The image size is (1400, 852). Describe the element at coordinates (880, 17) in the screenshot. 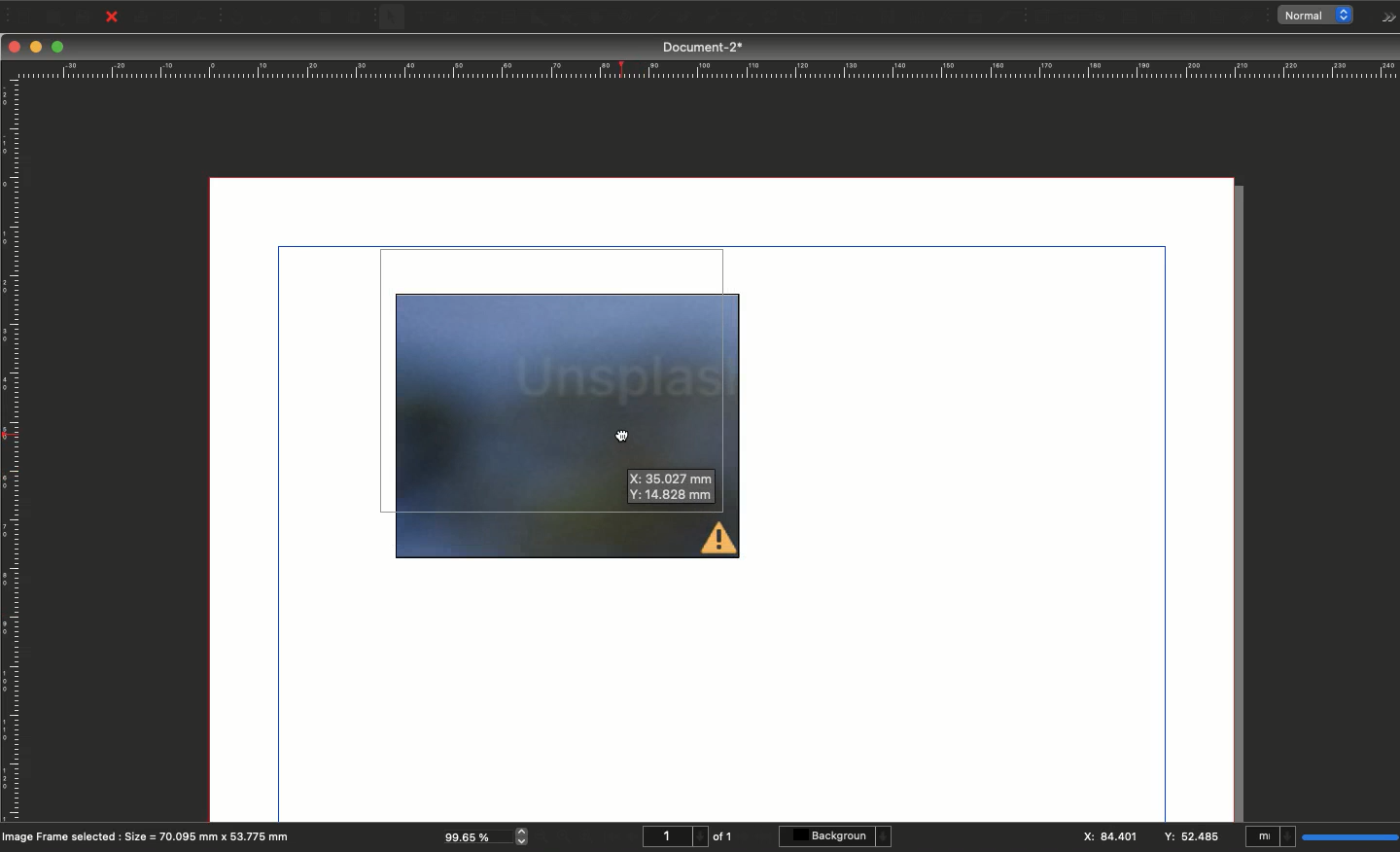

I see `Link text frames` at that location.